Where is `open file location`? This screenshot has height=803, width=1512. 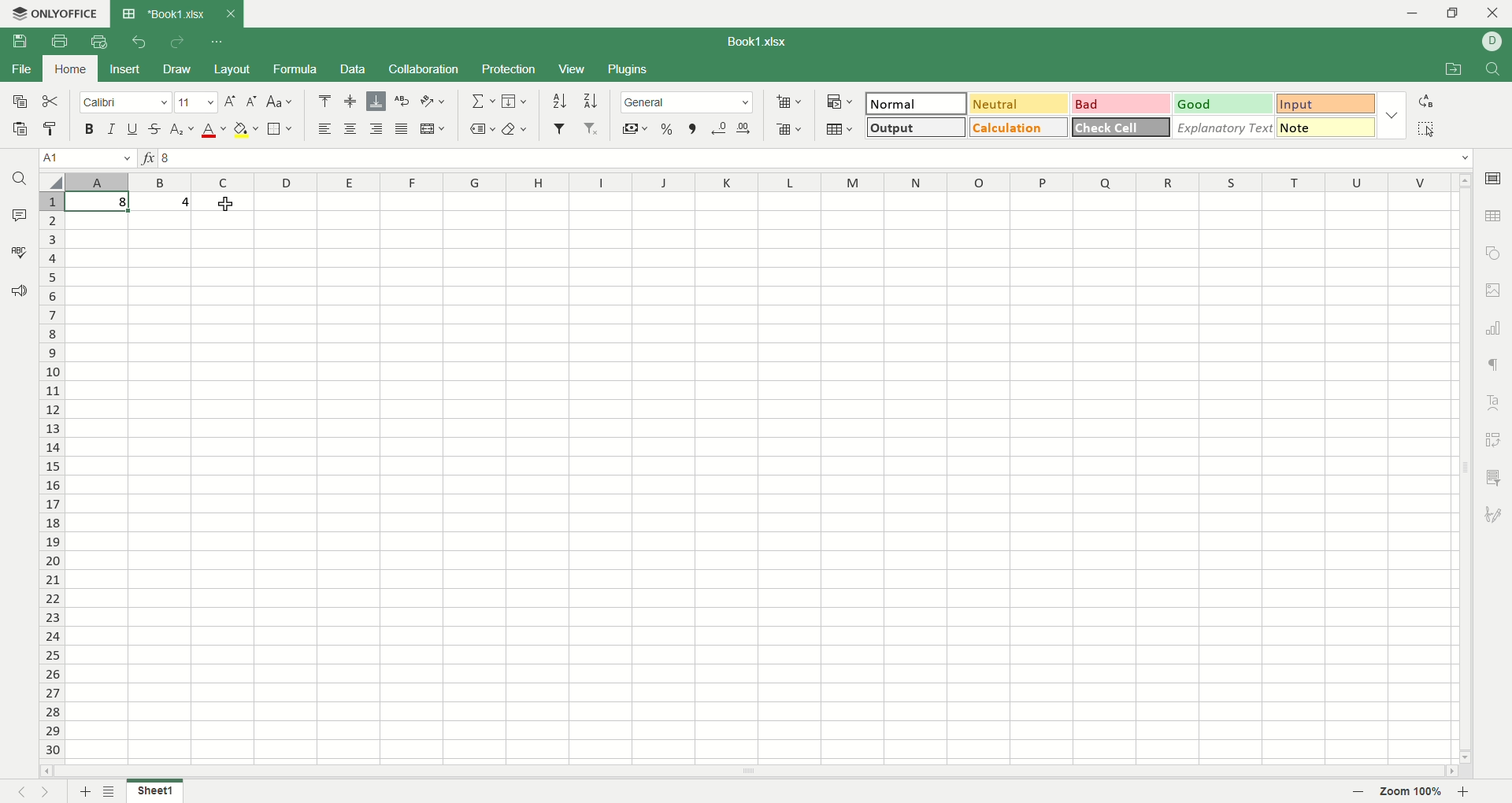
open file location is located at coordinates (1458, 68).